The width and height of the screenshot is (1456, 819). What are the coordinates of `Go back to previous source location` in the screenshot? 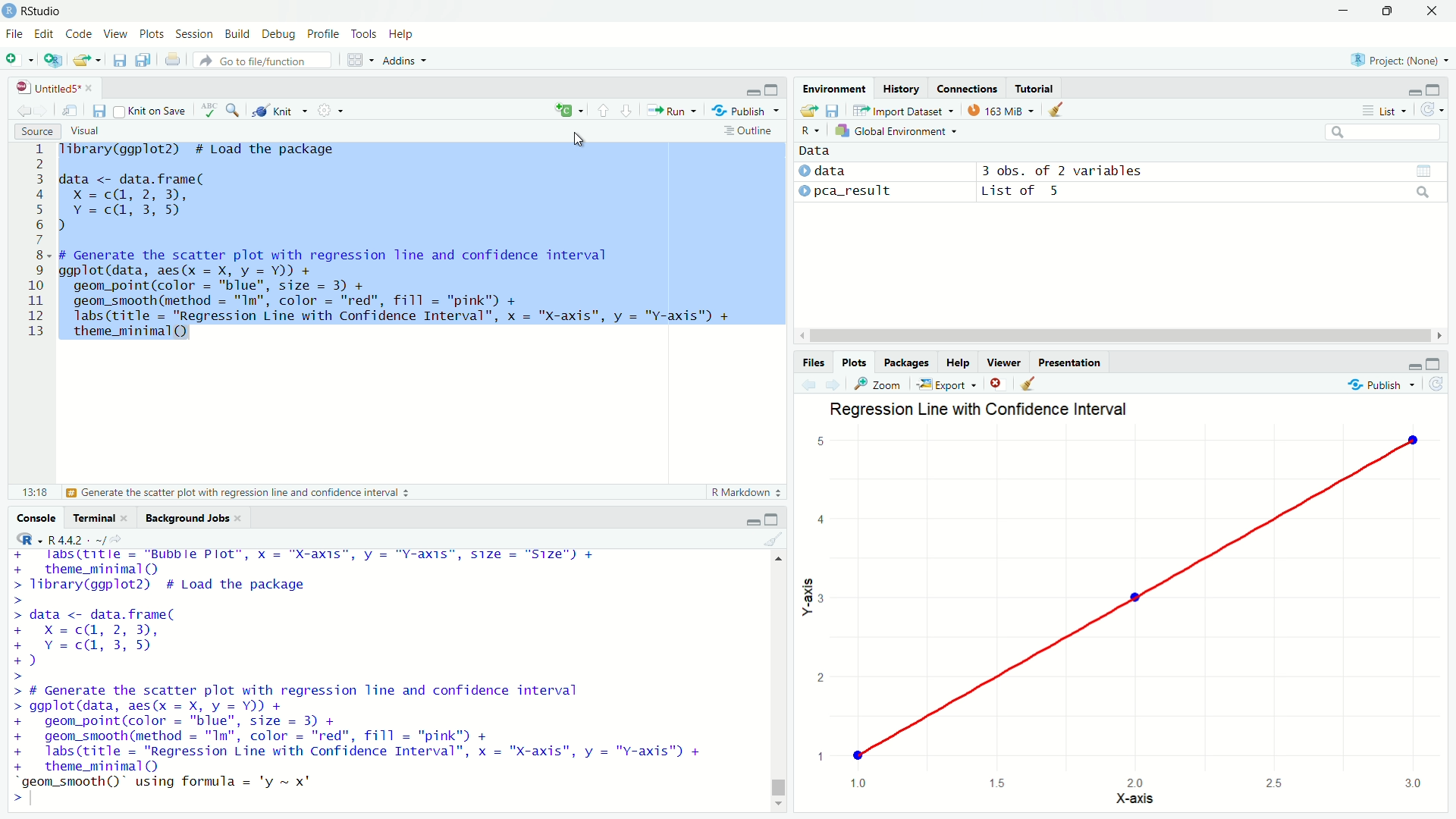 It's located at (24, 111).